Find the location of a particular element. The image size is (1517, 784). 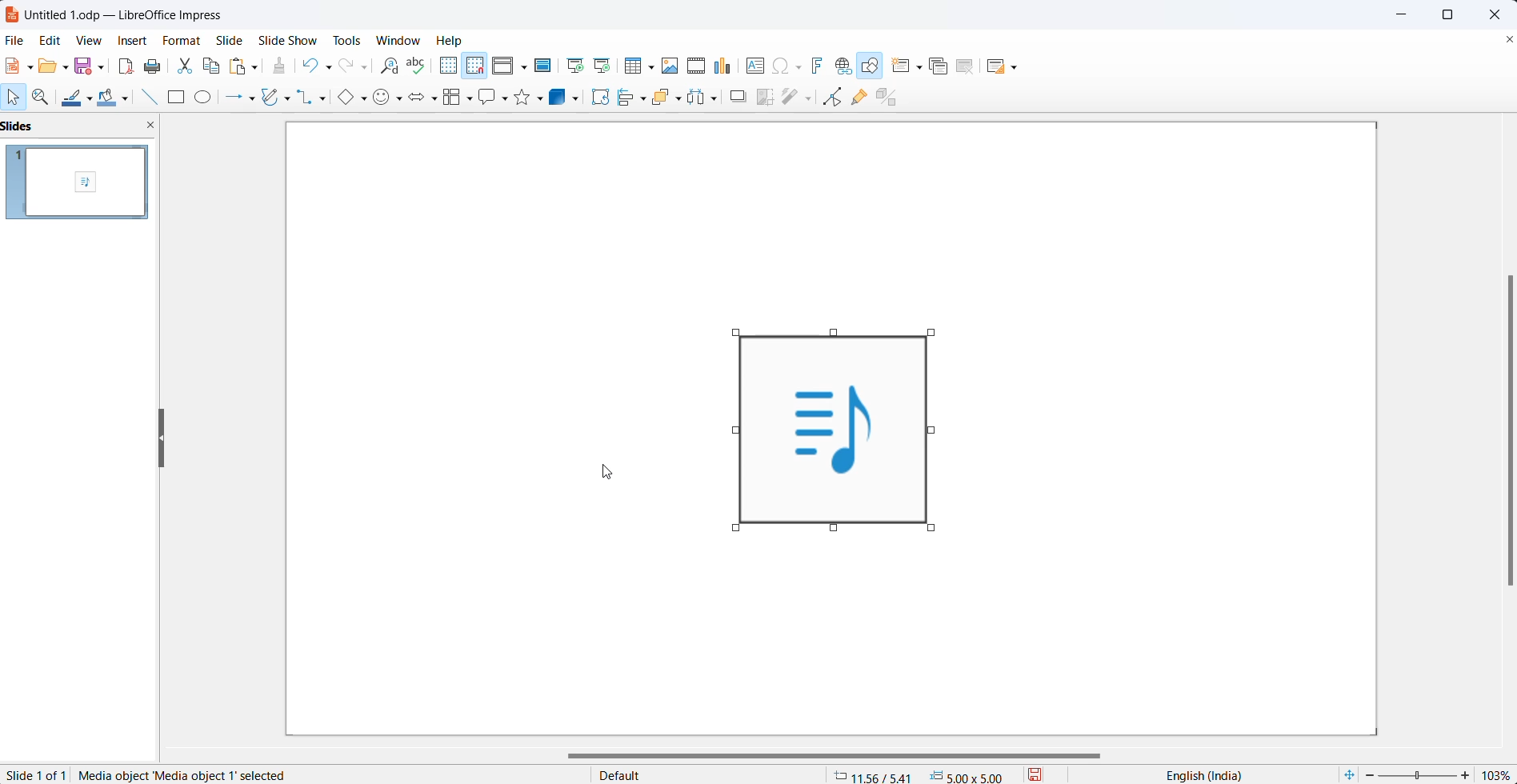

line color is located at coordinates (68, 98).